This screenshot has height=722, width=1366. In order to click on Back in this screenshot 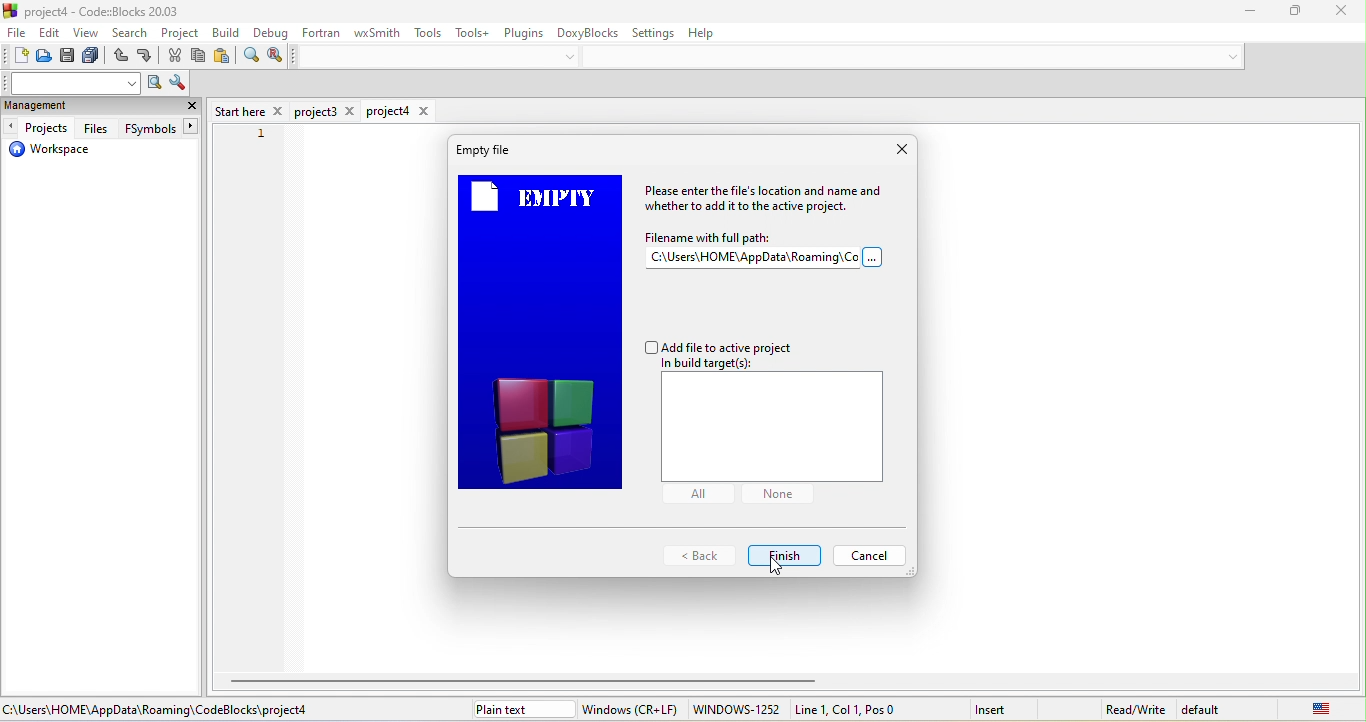, I will do `click(698, 557)`.